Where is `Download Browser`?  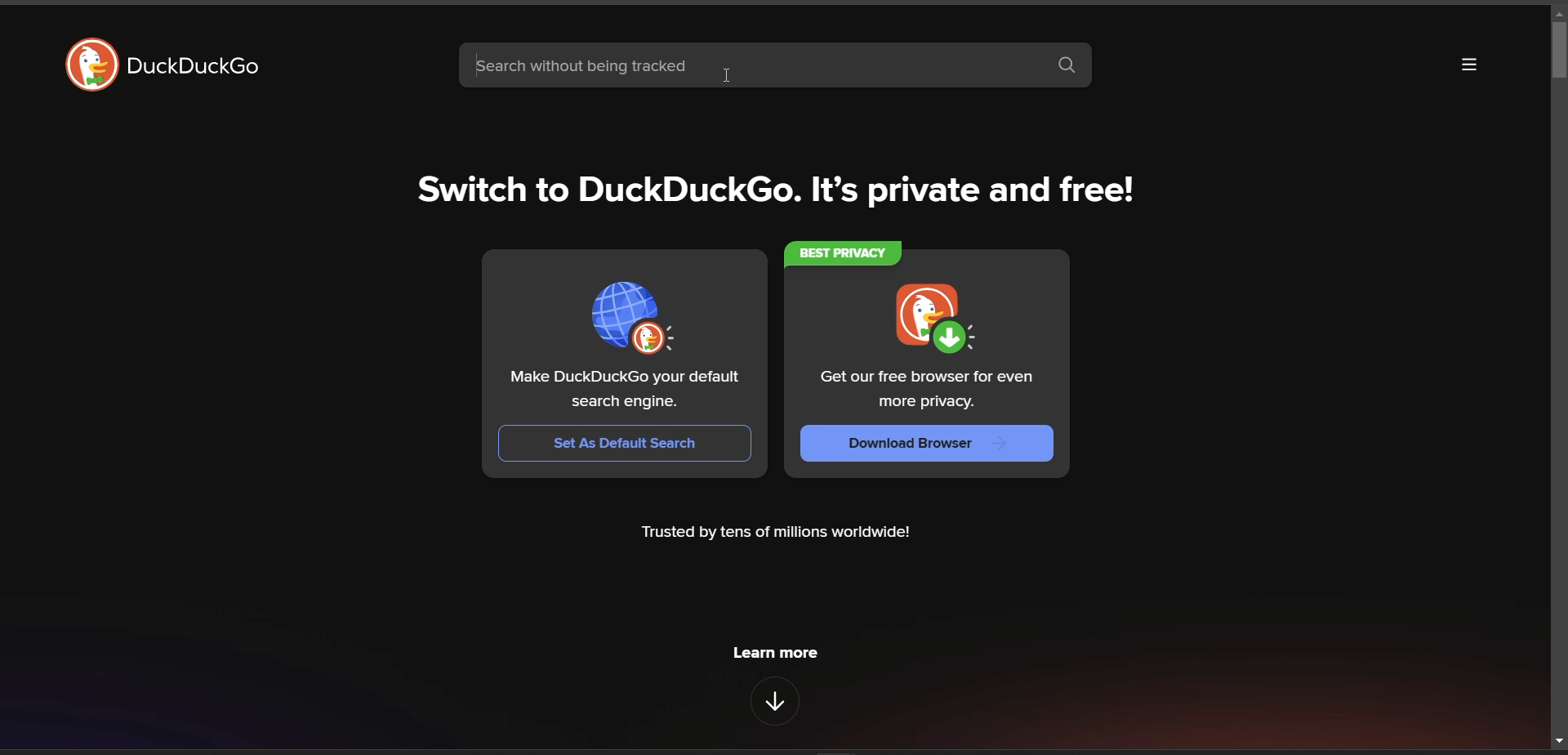
Download Browser is located at coordinates (928, 445).